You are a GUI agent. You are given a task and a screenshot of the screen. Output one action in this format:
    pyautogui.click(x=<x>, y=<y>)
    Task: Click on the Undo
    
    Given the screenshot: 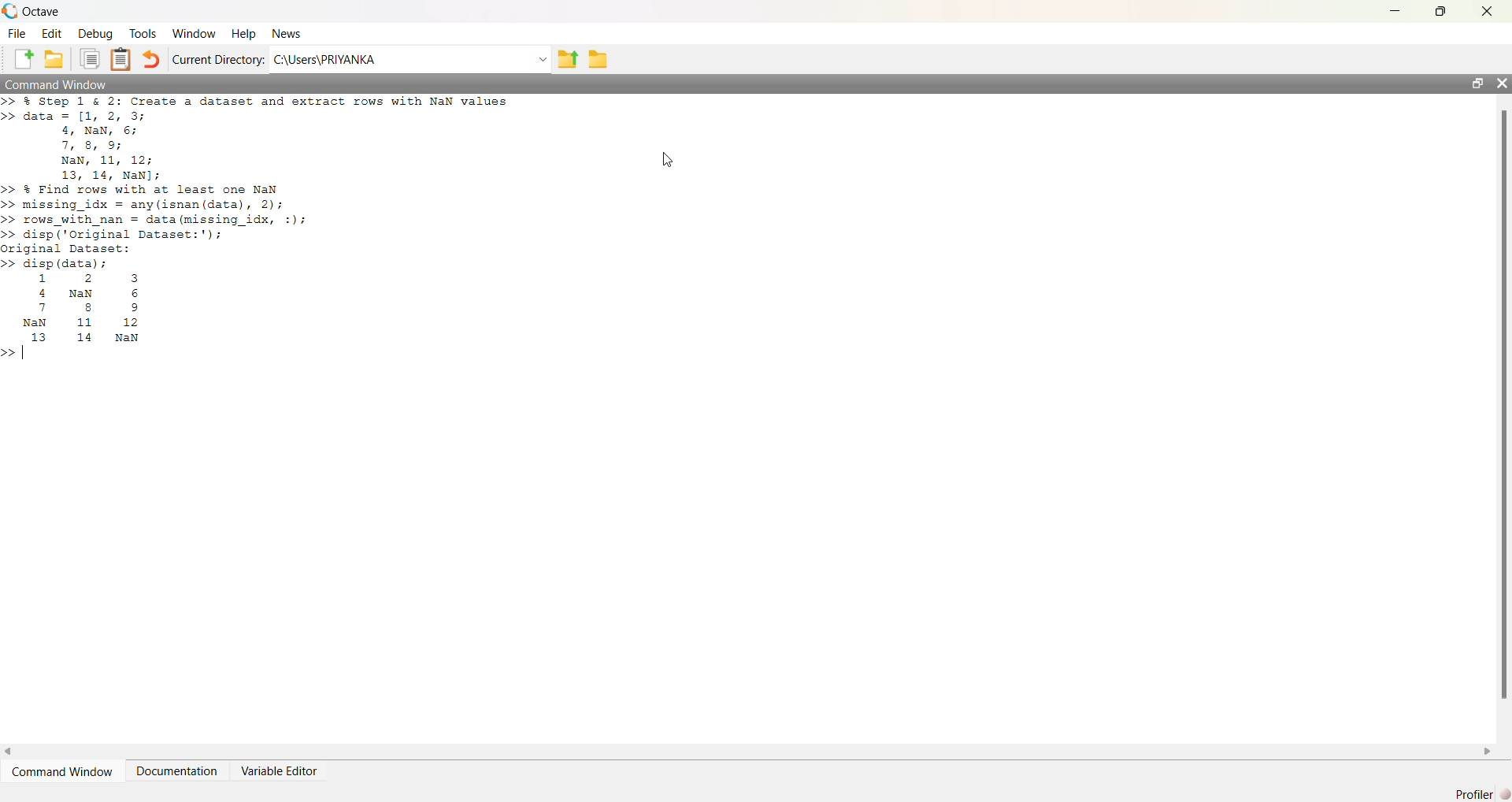 What is the action you would take?
    pyautogui.click(x=150, y=59)
    